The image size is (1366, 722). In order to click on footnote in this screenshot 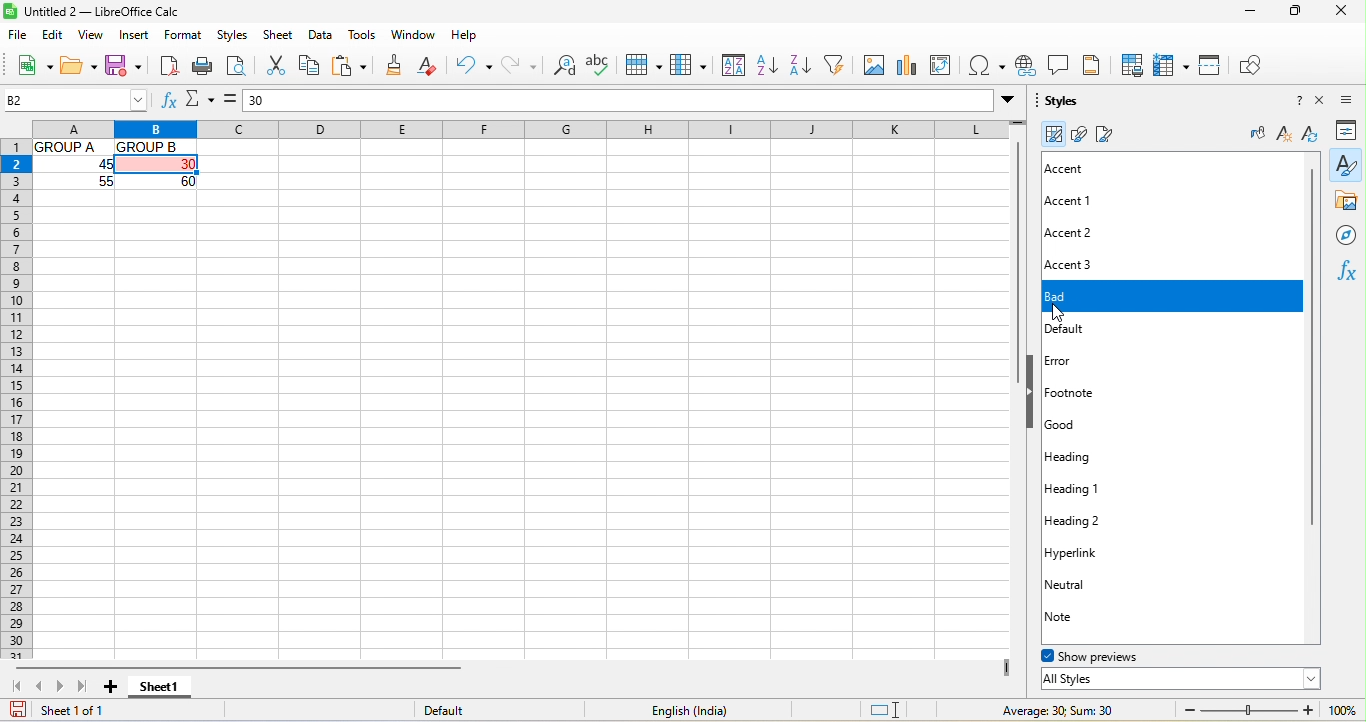, I will do `click(1102, 395)`.